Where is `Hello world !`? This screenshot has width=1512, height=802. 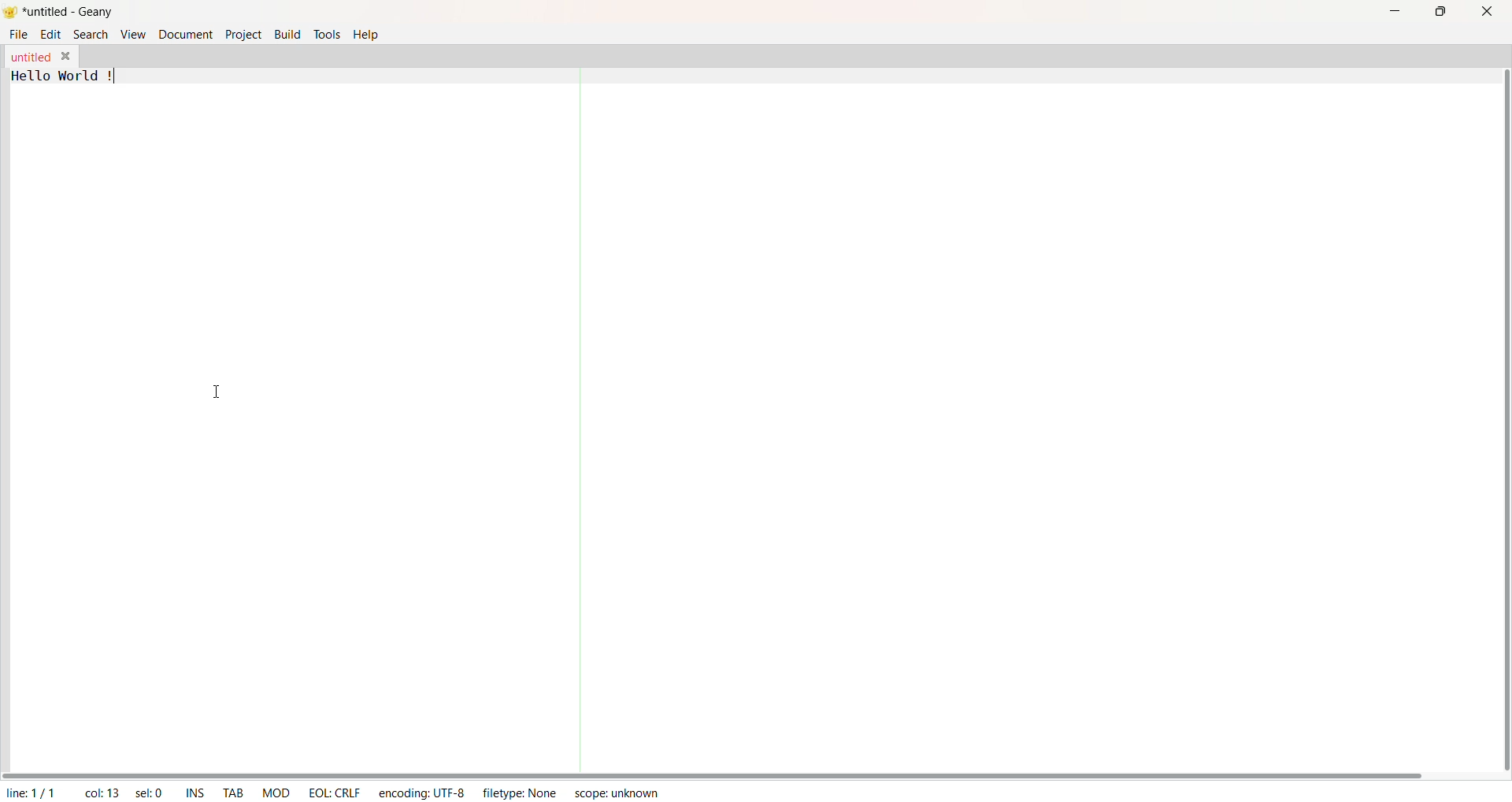 Hello world ! is located at coordinates (66, 76).